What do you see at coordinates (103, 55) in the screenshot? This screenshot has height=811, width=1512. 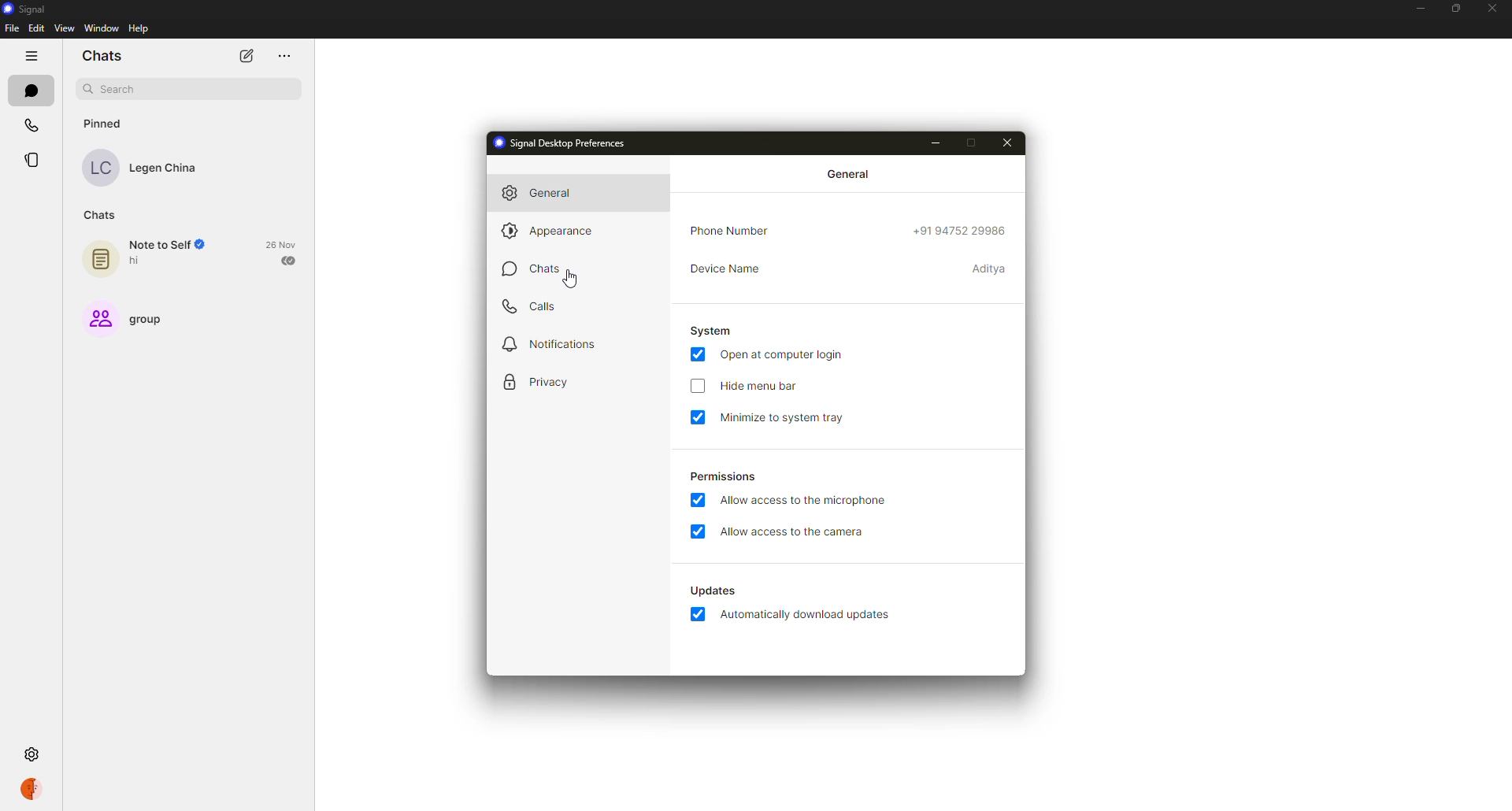 I see `chats` at bounding box center [103, 55].